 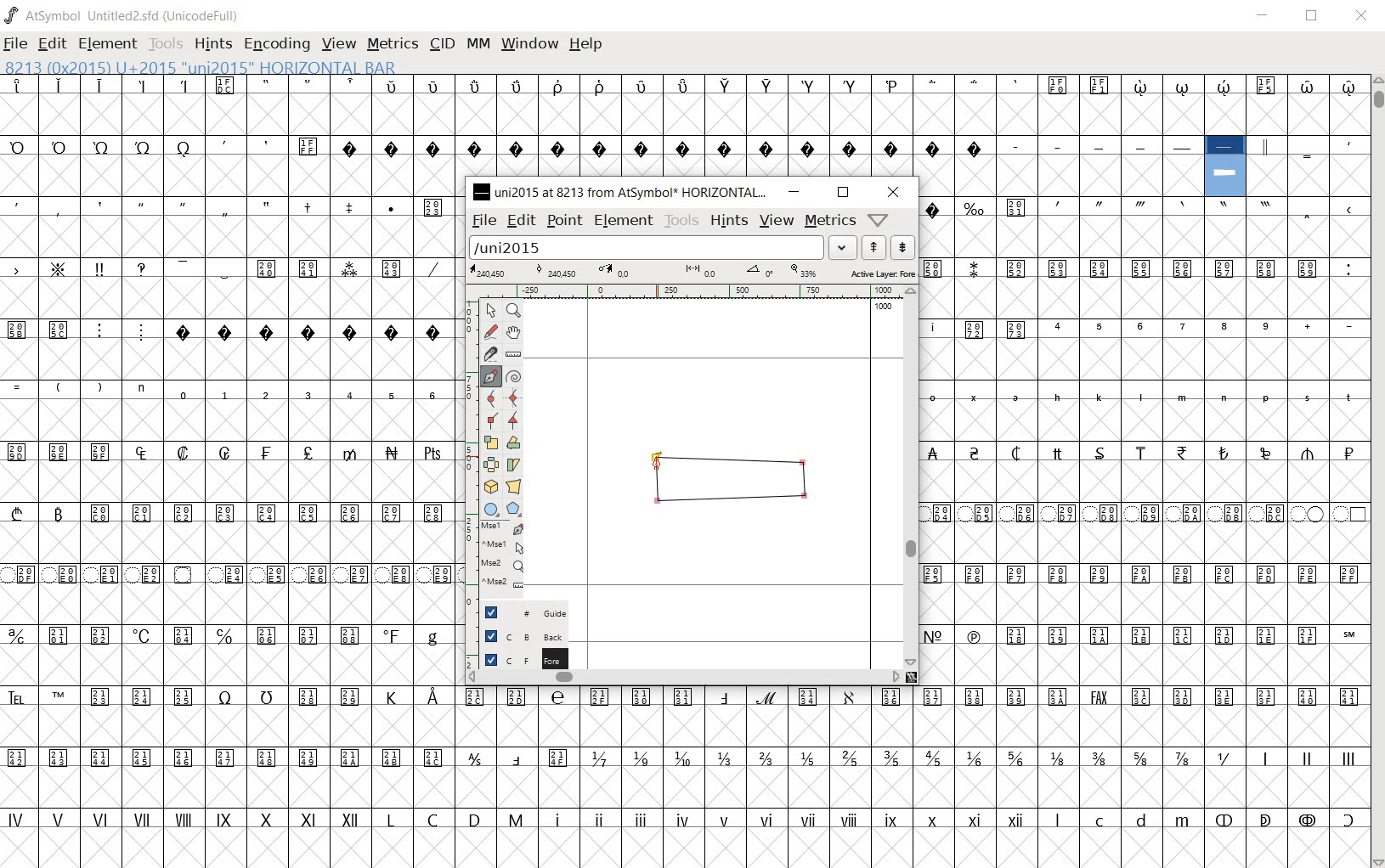 I want to click on perform a perspective transformation on the selection, so click(x=513, y=486).